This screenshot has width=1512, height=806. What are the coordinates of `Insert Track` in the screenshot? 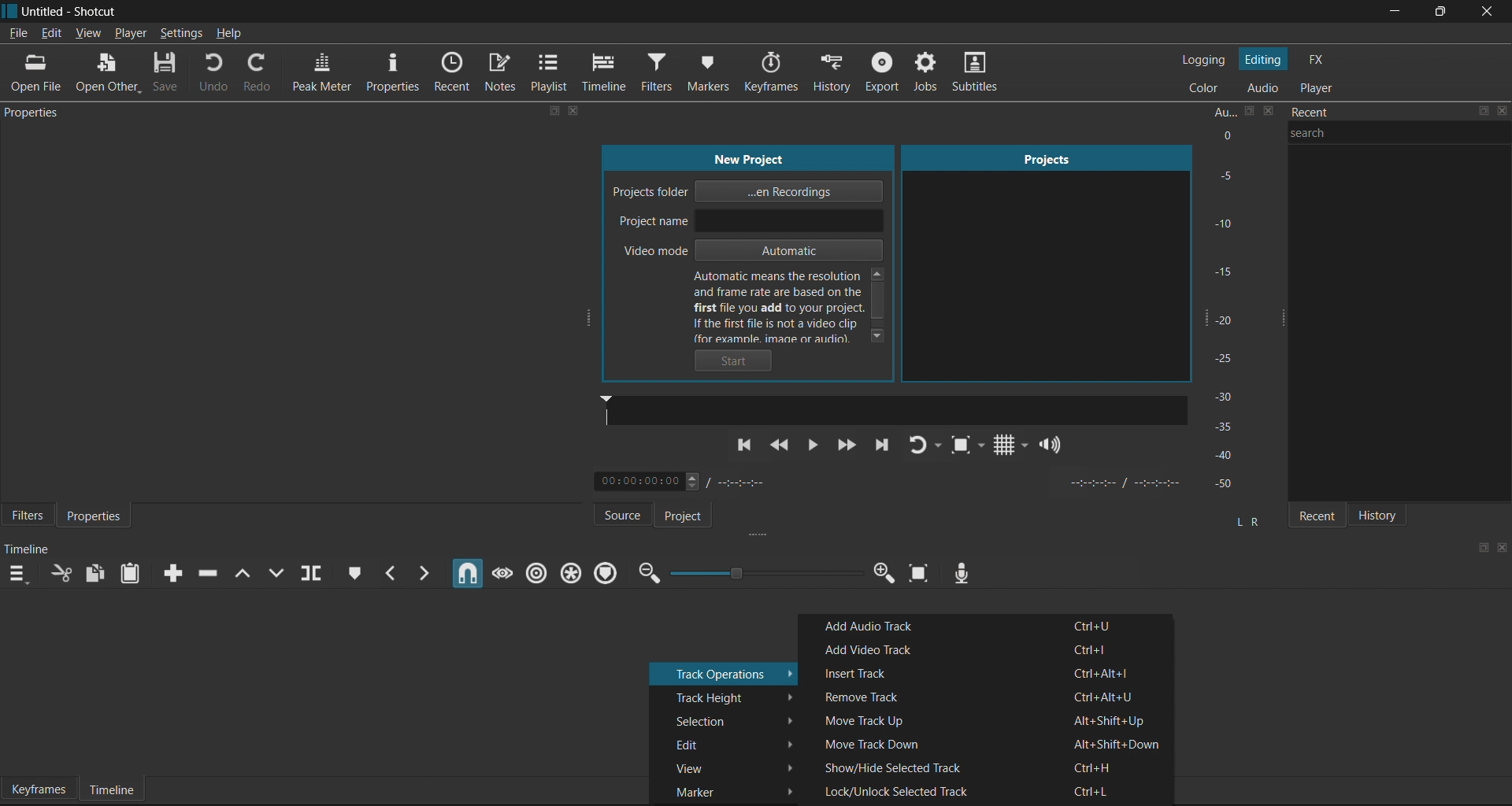 It's located at (988, 672).